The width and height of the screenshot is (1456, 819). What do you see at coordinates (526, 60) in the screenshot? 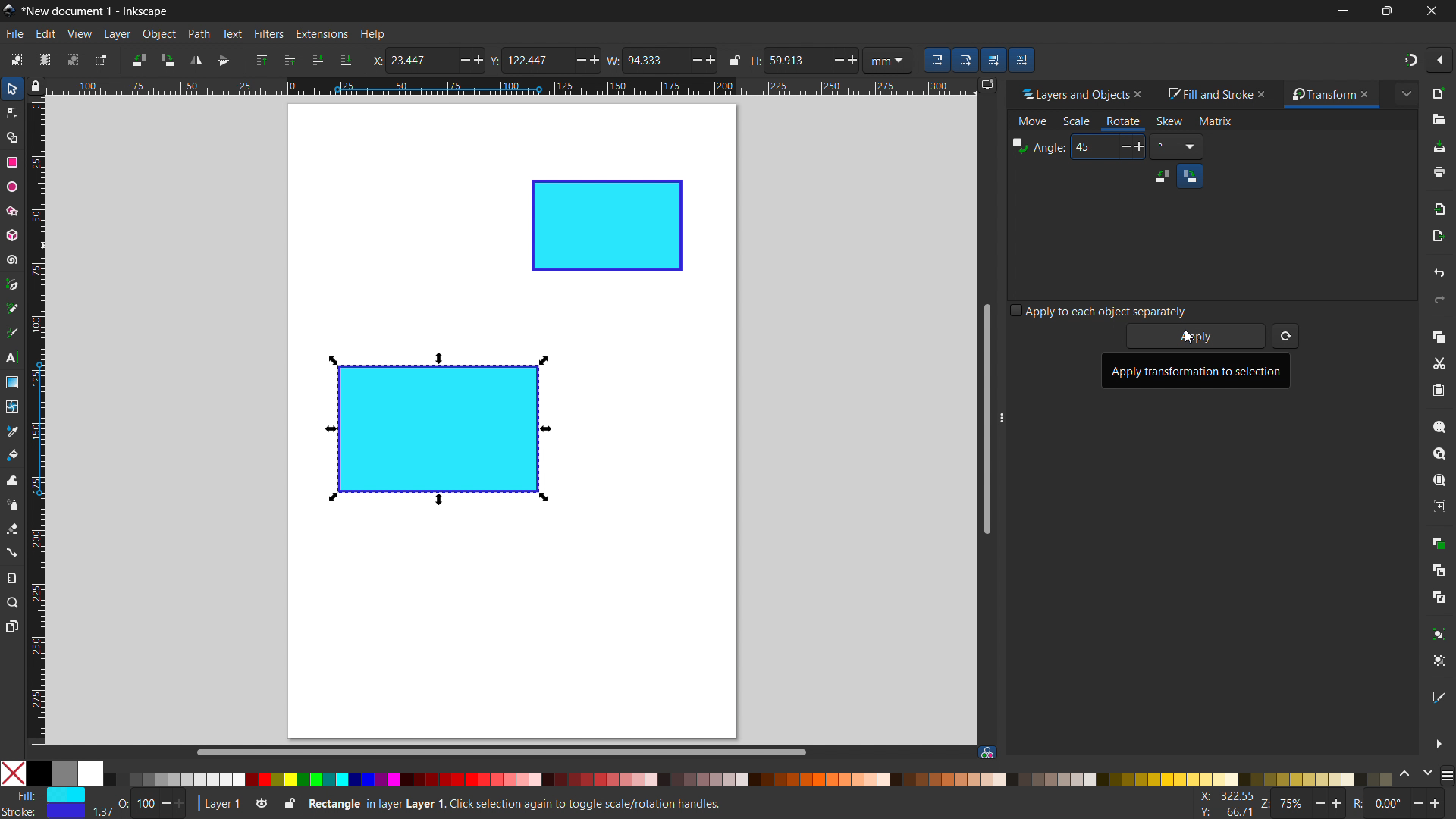
I see `Y: 122.447` at bounding box center [526, 60].